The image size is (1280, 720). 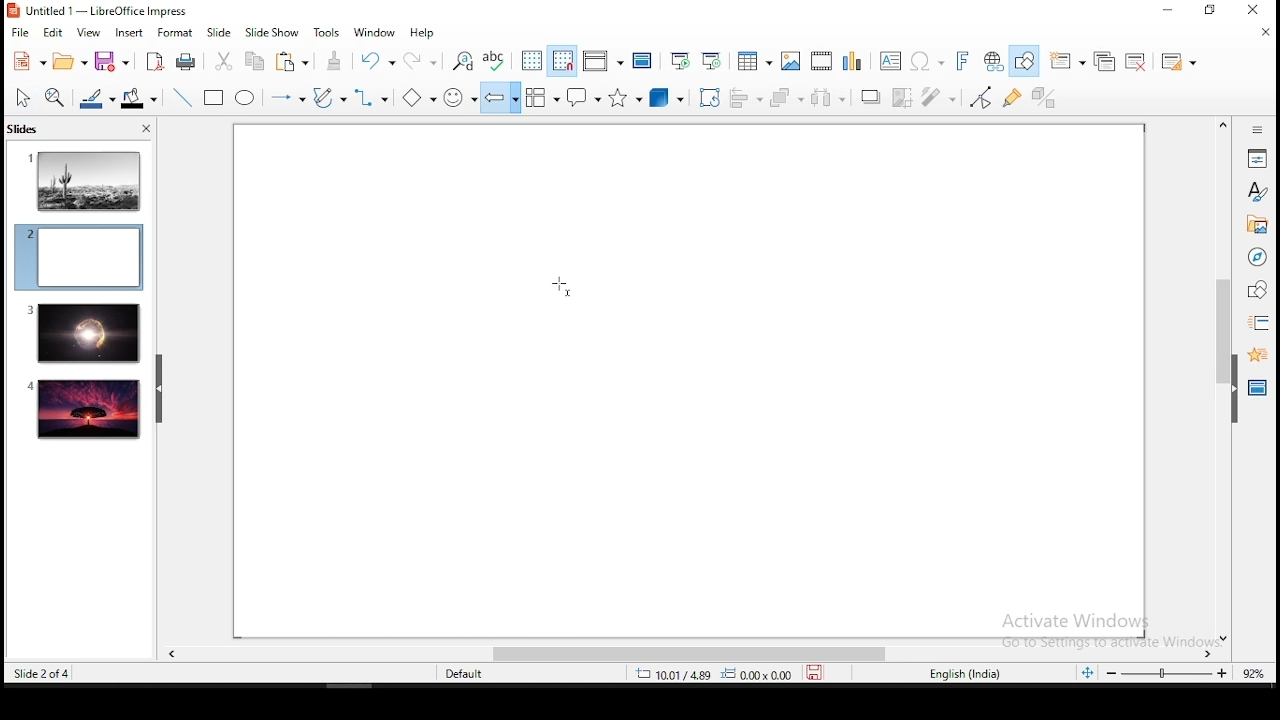 What do you see at coordinates (1139, 62) in the screenshot?
I see `delete slide` at bounding box center [1139, 62].